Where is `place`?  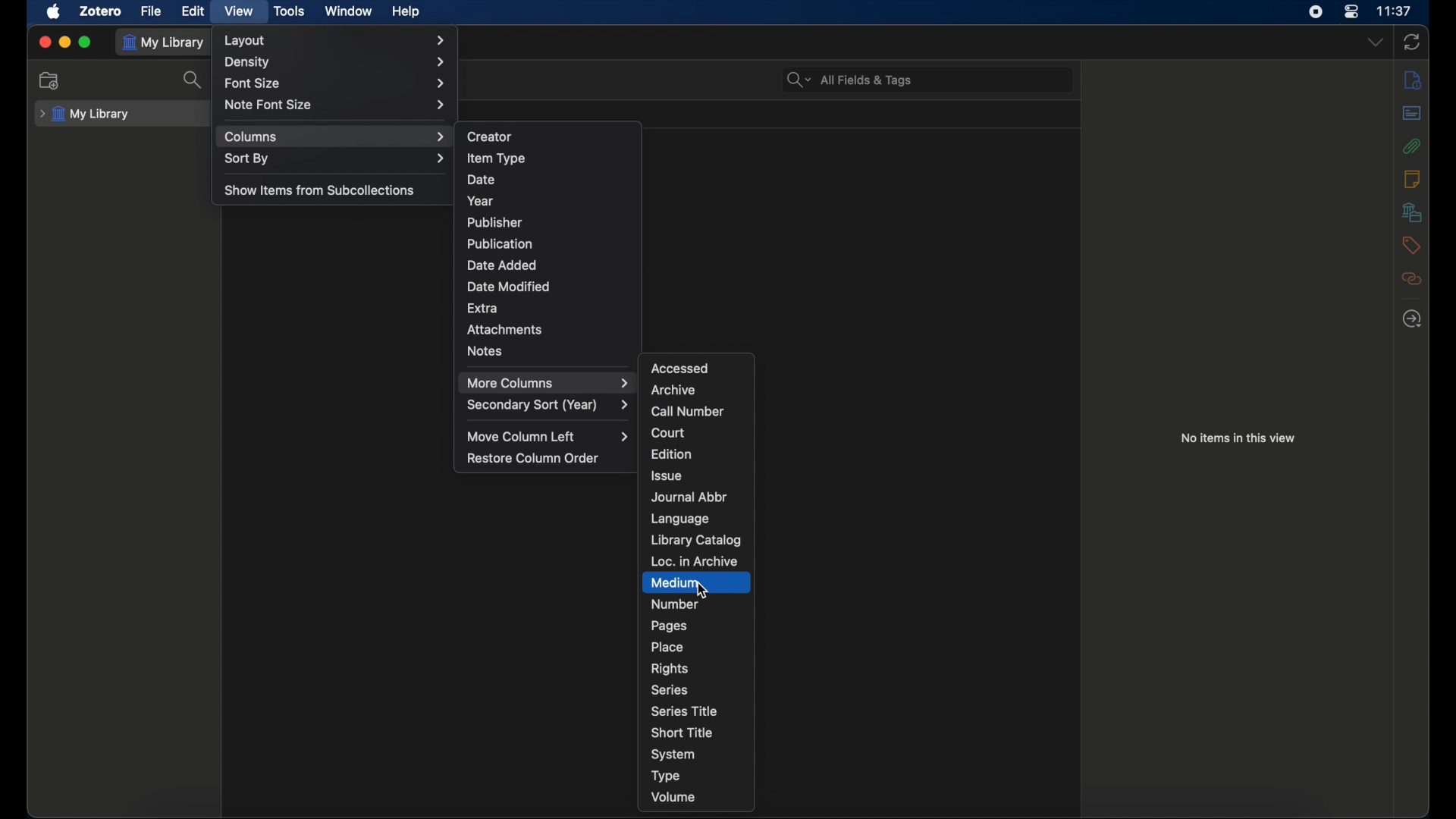 place is located at coordinates (669, 647).